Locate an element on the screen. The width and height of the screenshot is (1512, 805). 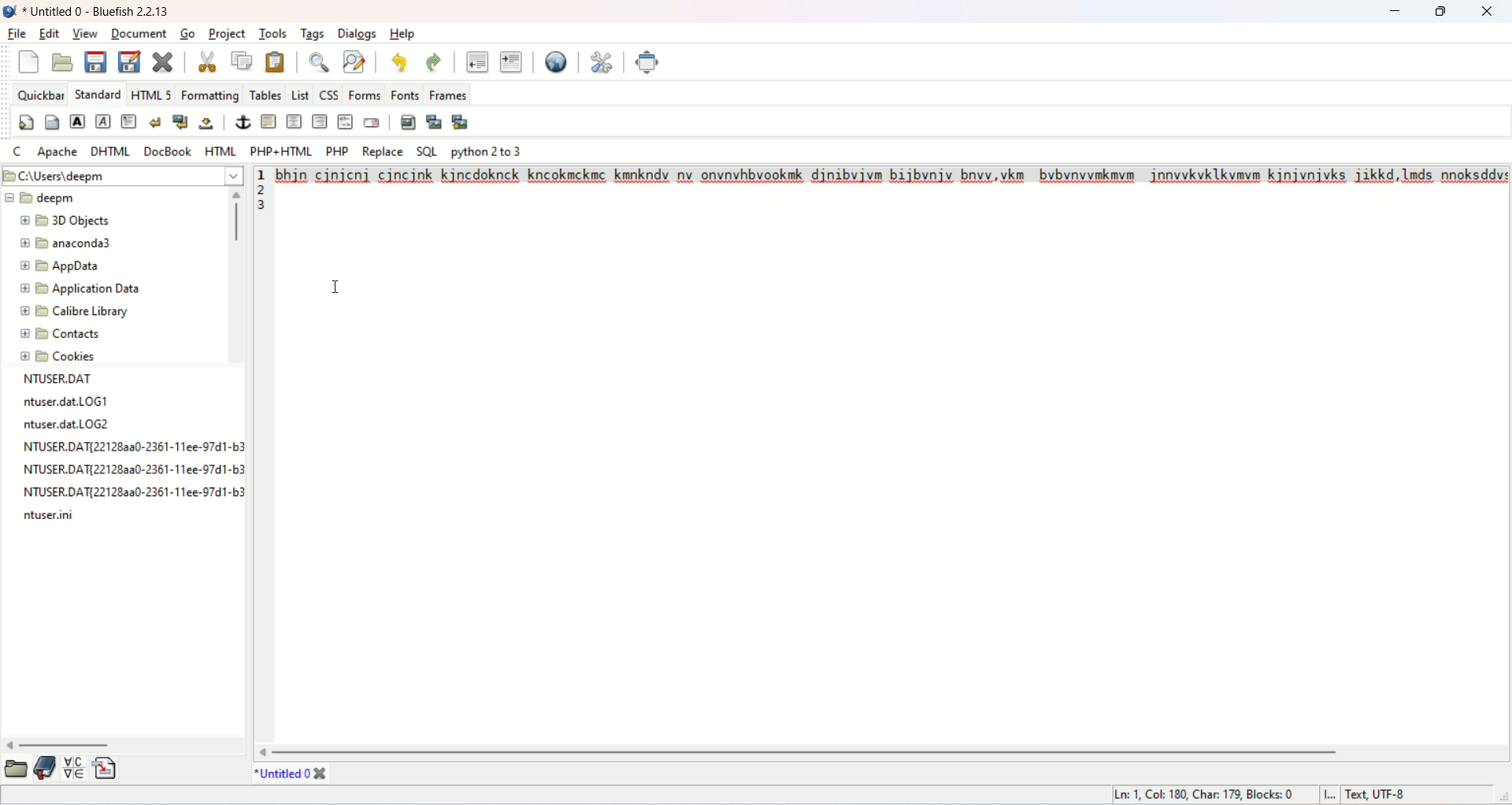
REPLACE is located at coordinates (384, 151).